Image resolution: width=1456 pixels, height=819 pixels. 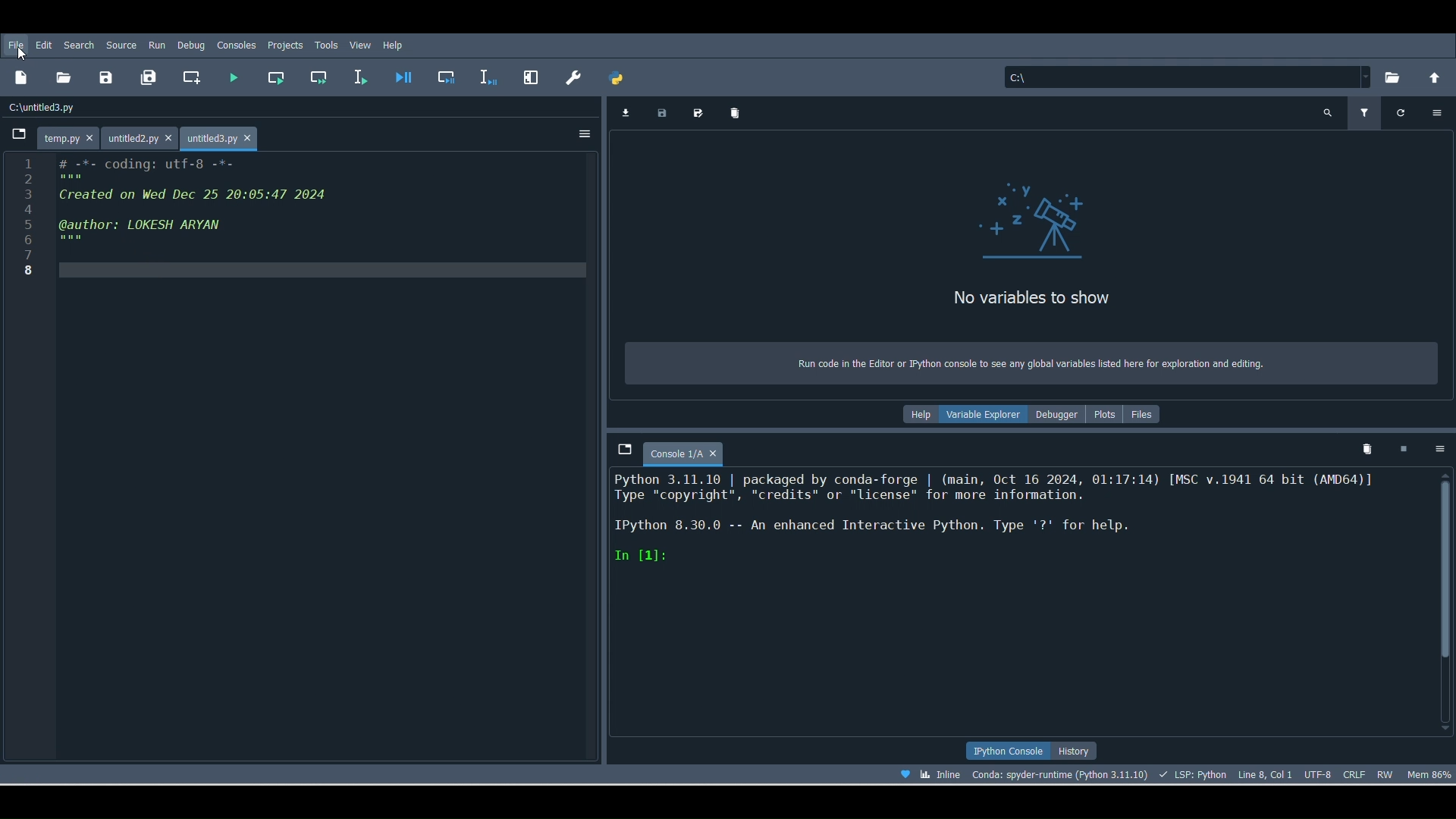 I want to click on C:\untitled3.py, so click(x=64, y=106).